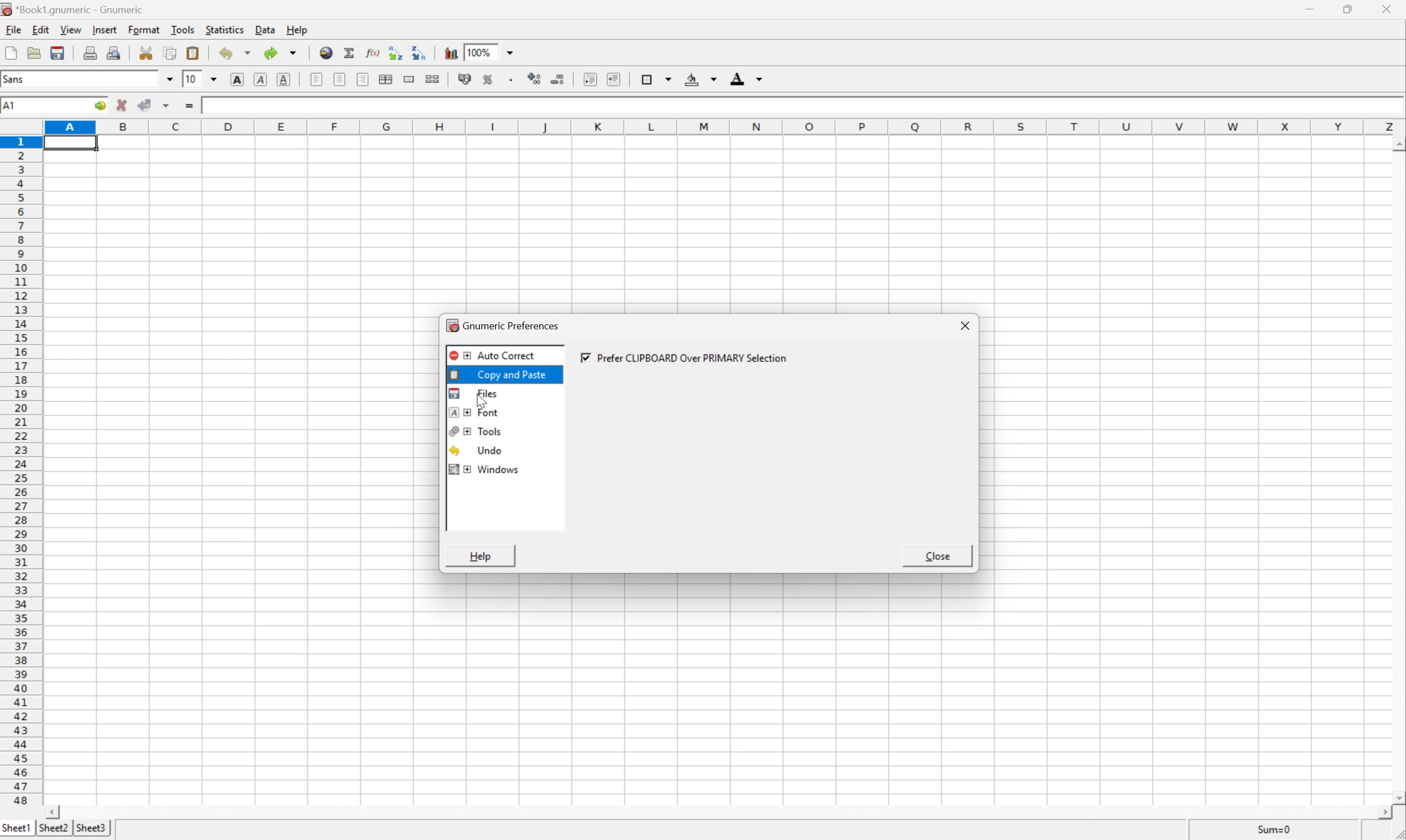  What do you see at coordinates (419, 52) in the screenshot?
I see `Sort the selected region in descending order based on the first column selected` at bounding box center [419, 52].